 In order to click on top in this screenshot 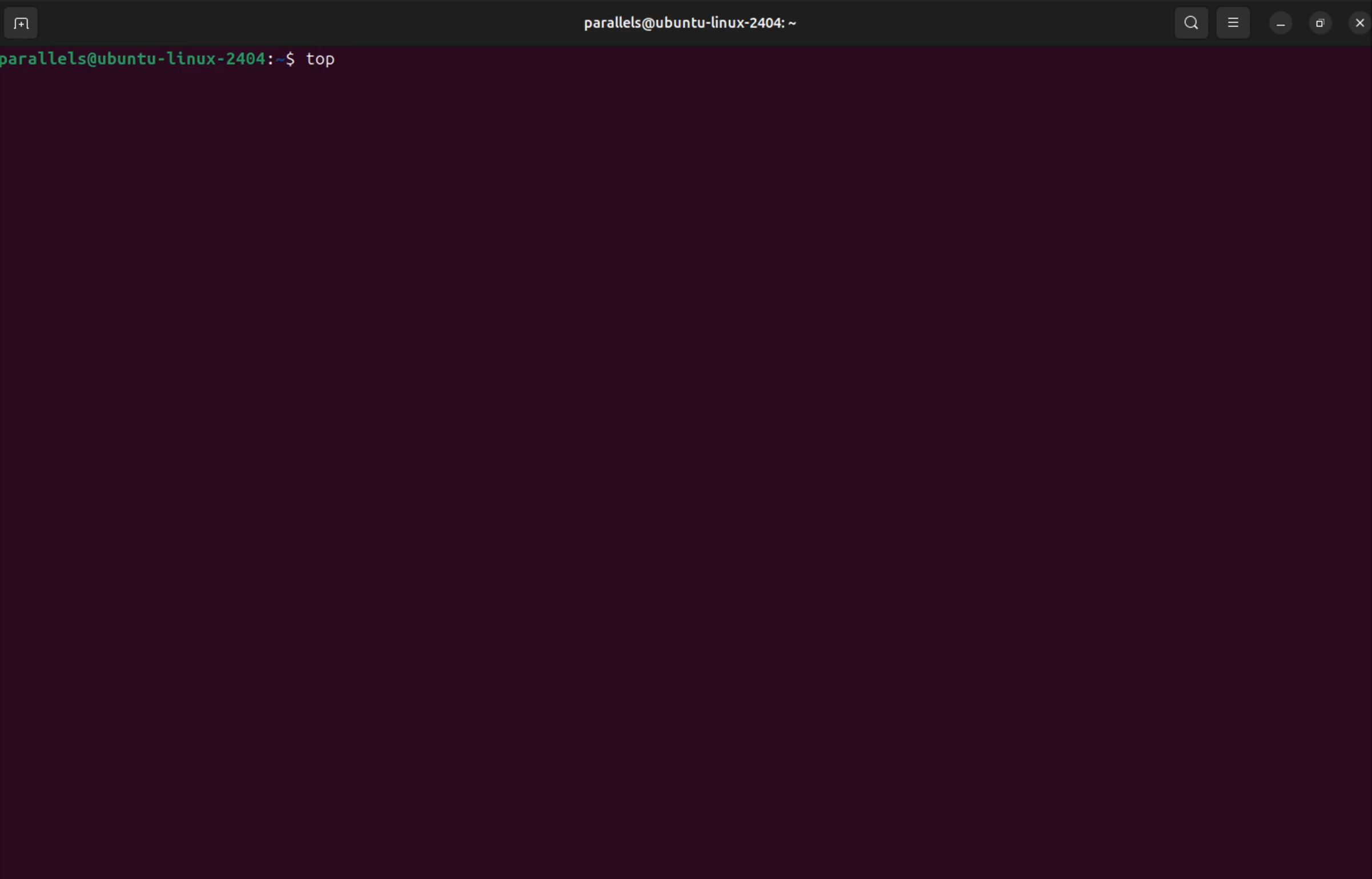, I will do `click(326, 58)`.